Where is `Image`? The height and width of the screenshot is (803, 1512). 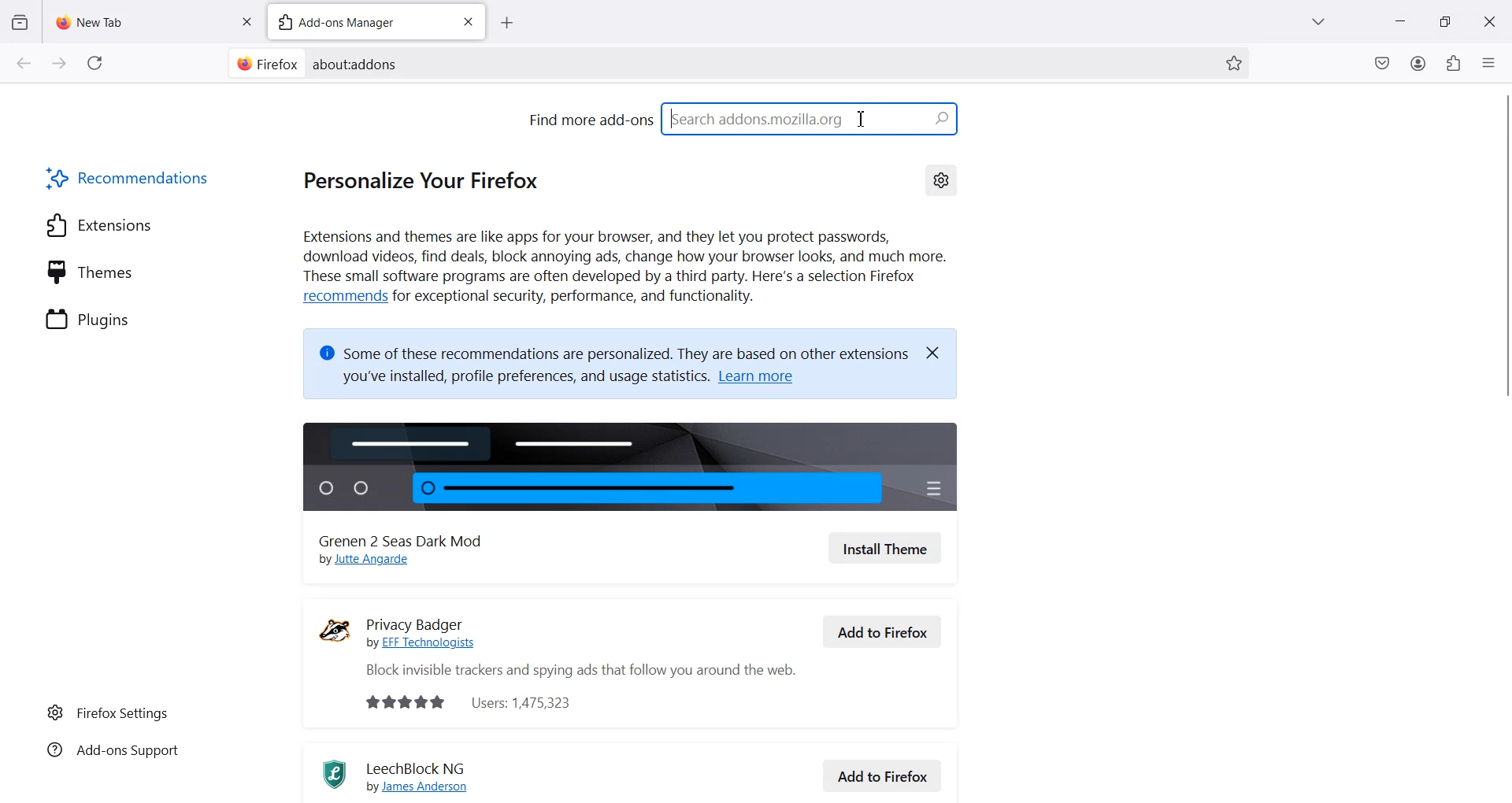 Image is located at coordinates (633, 463).